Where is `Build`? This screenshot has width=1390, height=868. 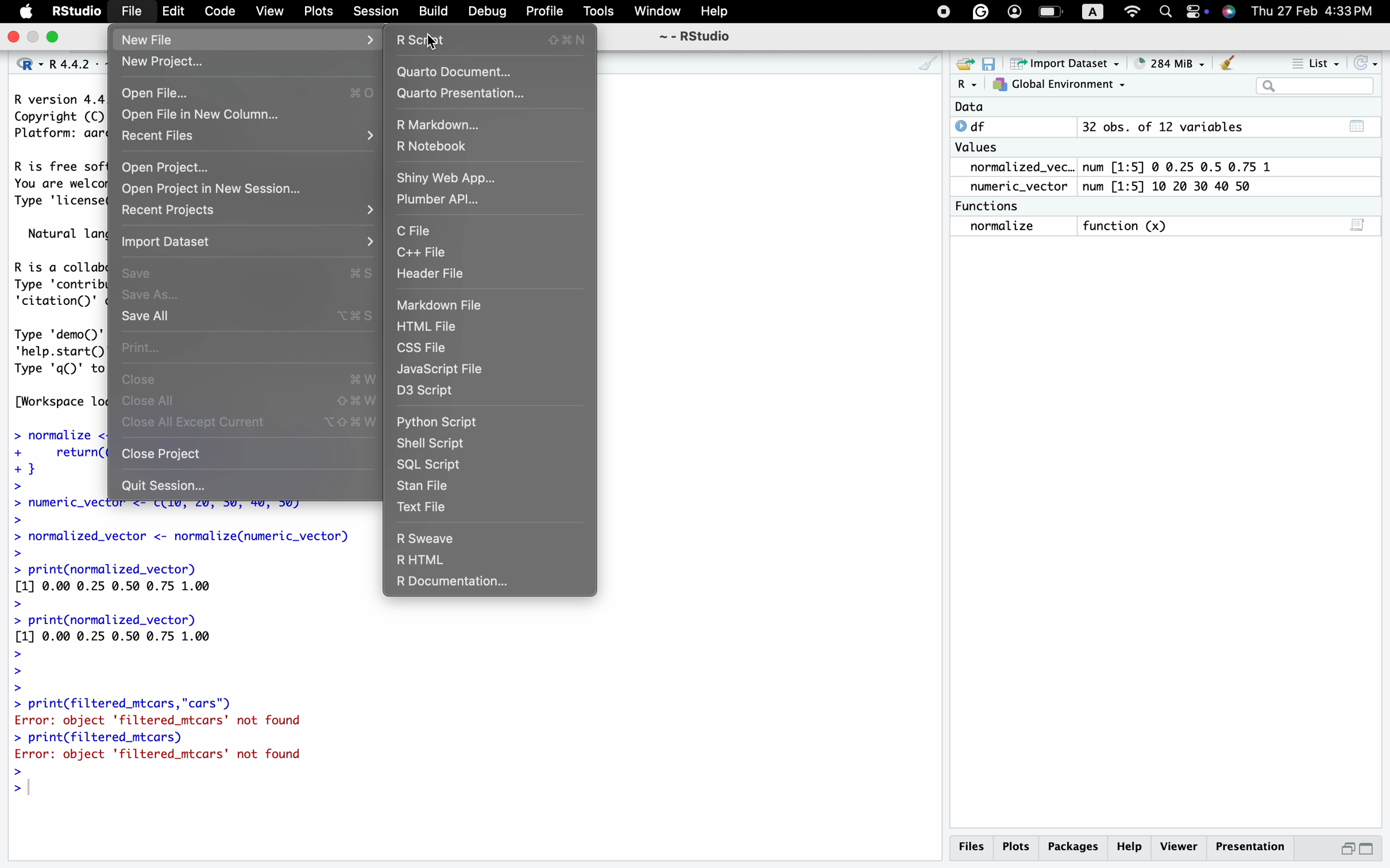 Build is located at coordinates (435, 12).